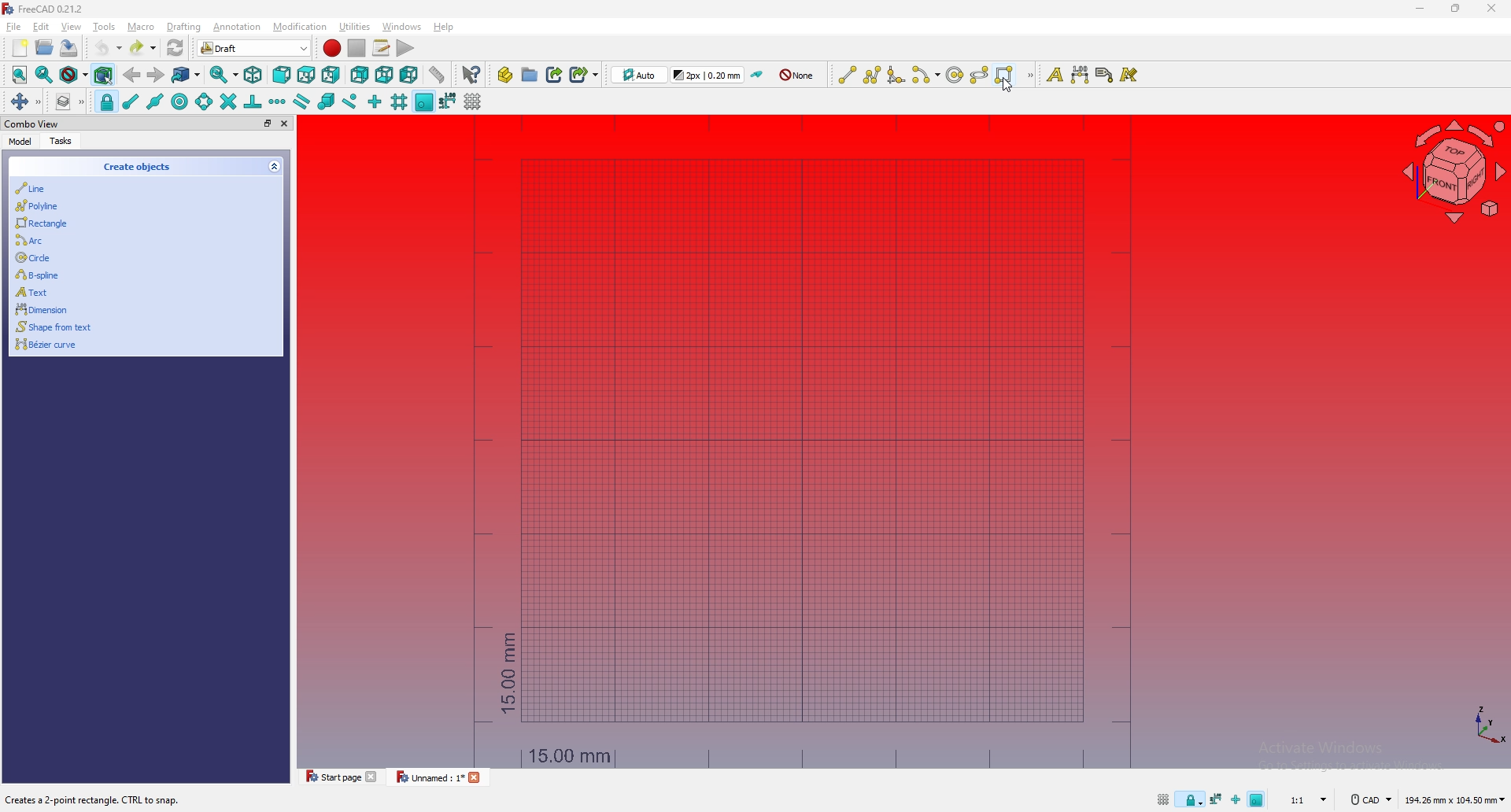 The width and height of the screenshot is (1511, 812). Describe the element at coordinates (203, 101) in the screenshot. I see `snap angle` at that location.